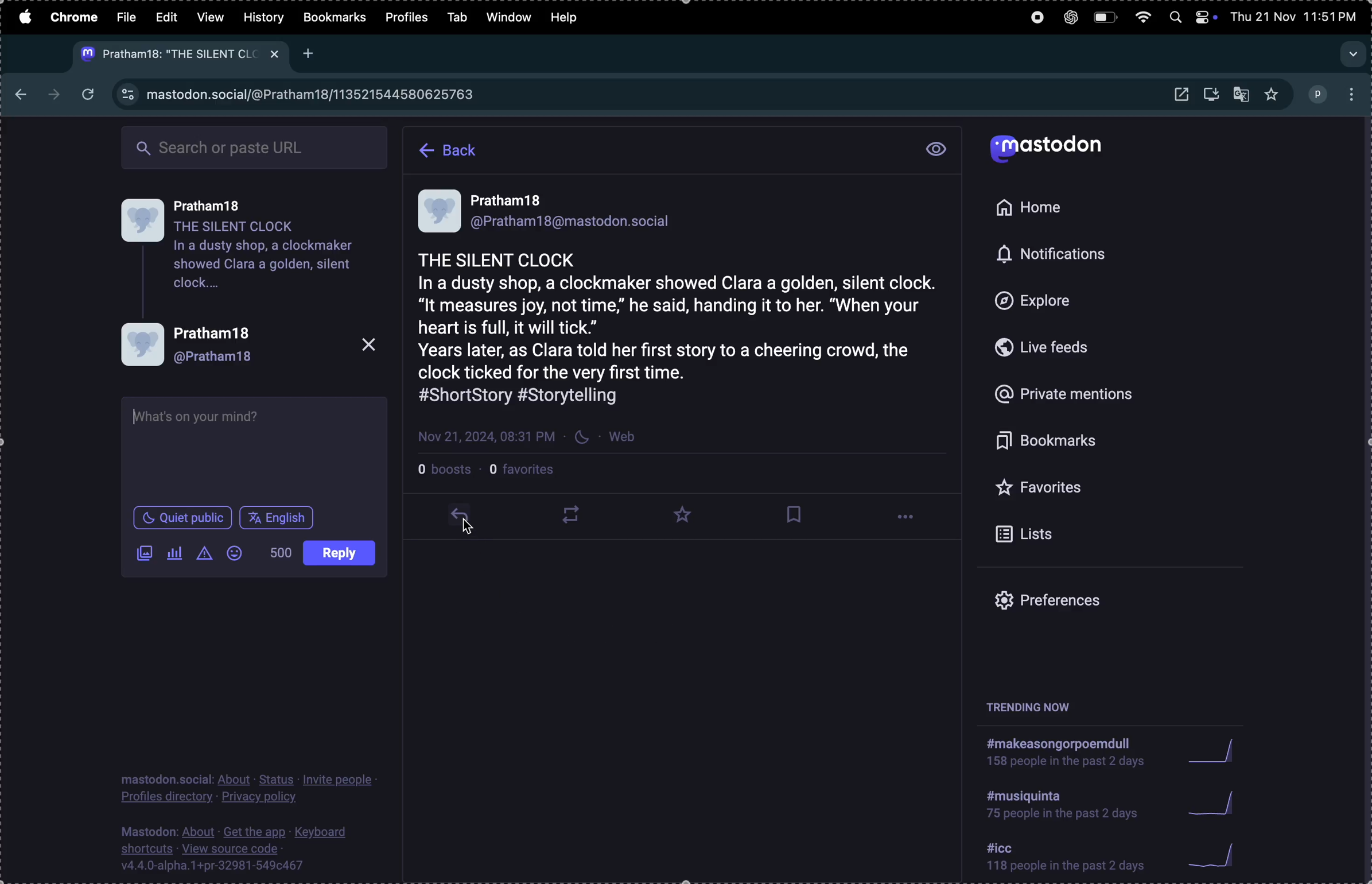 Image resolution: width=1372 pixels, height=884 pixels. Describe the element at coordinates (1078, 534) in the screenshot. I see `list` at that location.